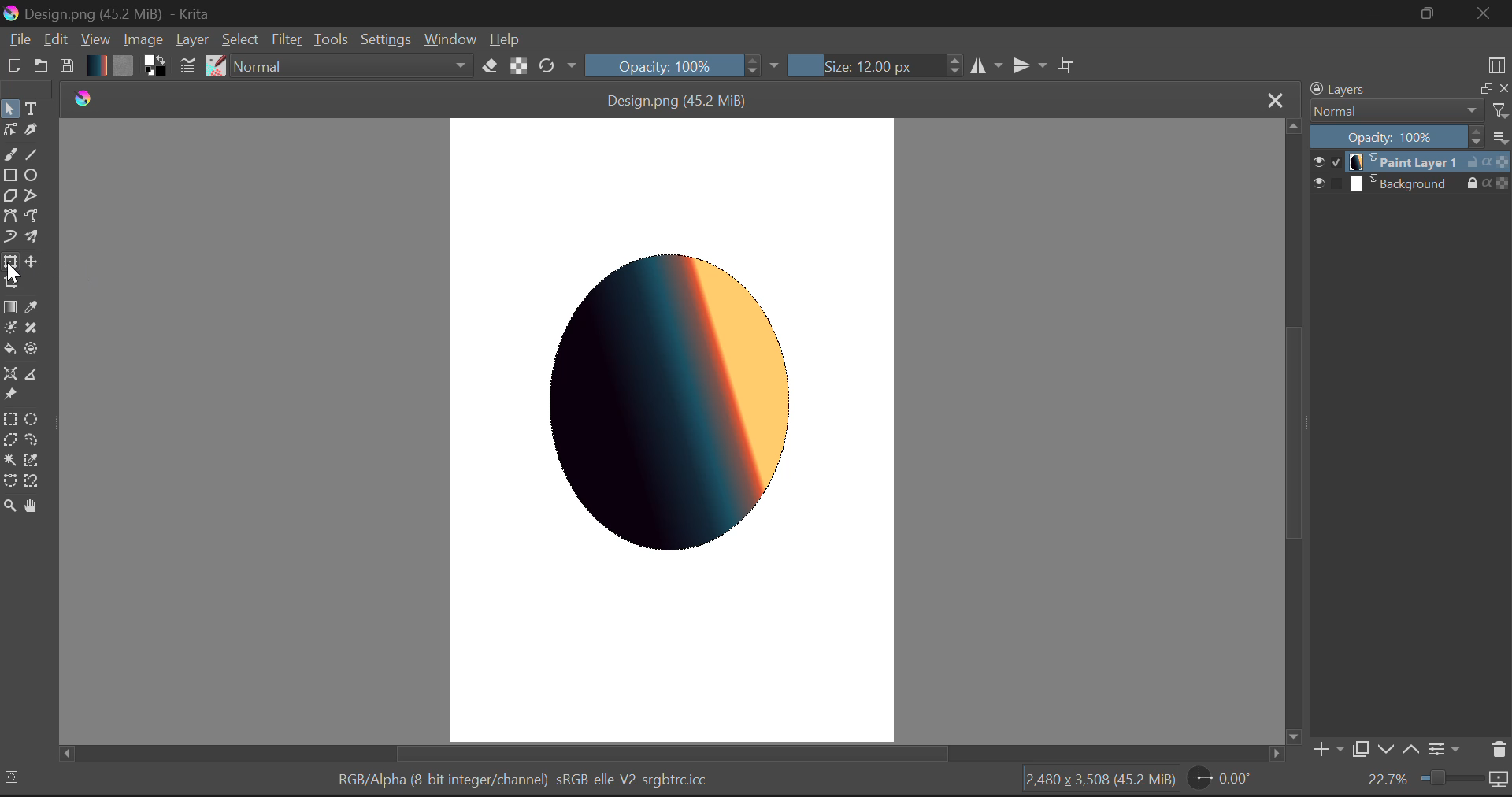 This screenshot has width=1512, height=797. Describe the element at coordinates (32, 109) in the screenshot. I see `Text` at that location.